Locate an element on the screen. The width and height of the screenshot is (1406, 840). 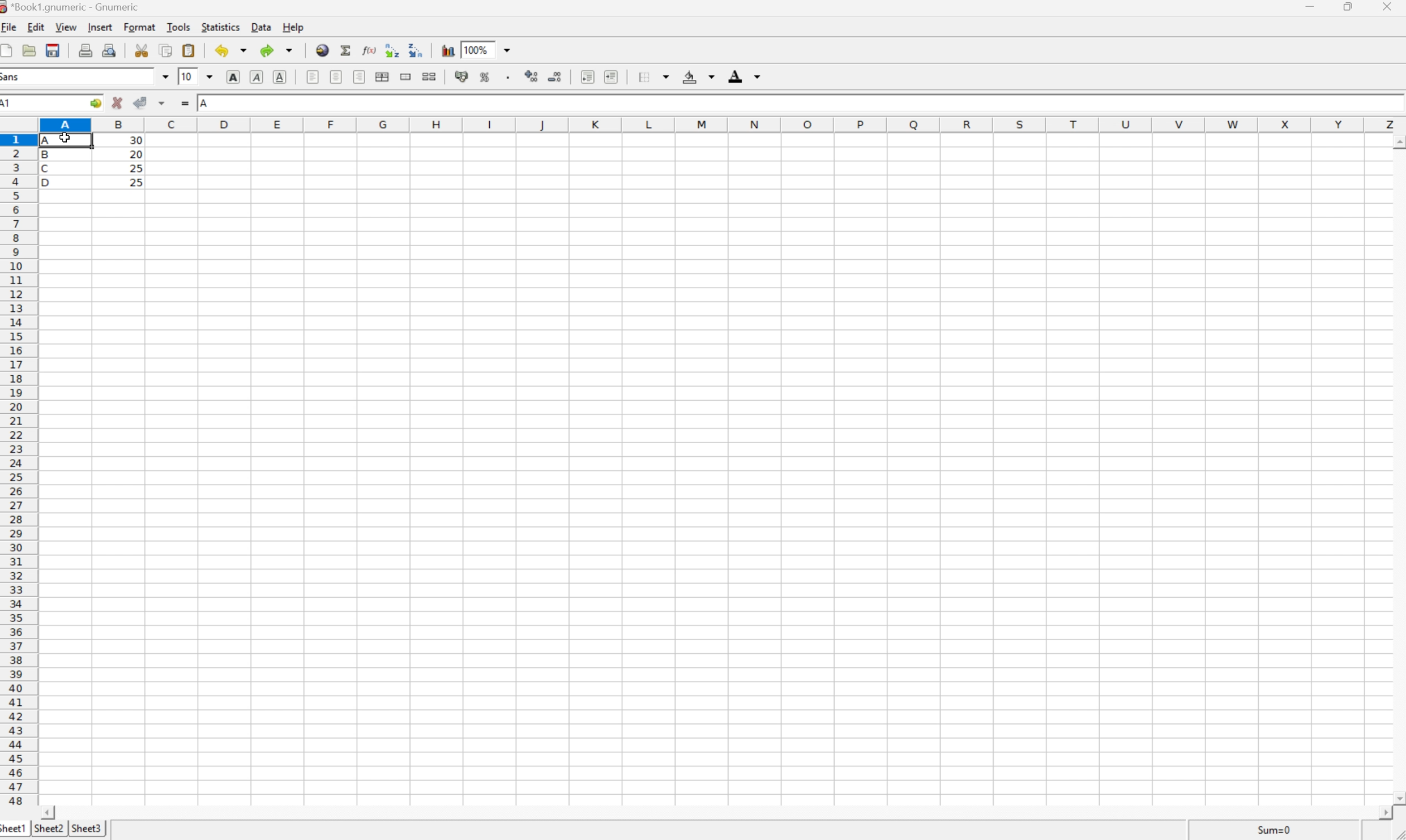
Align Left is located at coordinates (313, 78).